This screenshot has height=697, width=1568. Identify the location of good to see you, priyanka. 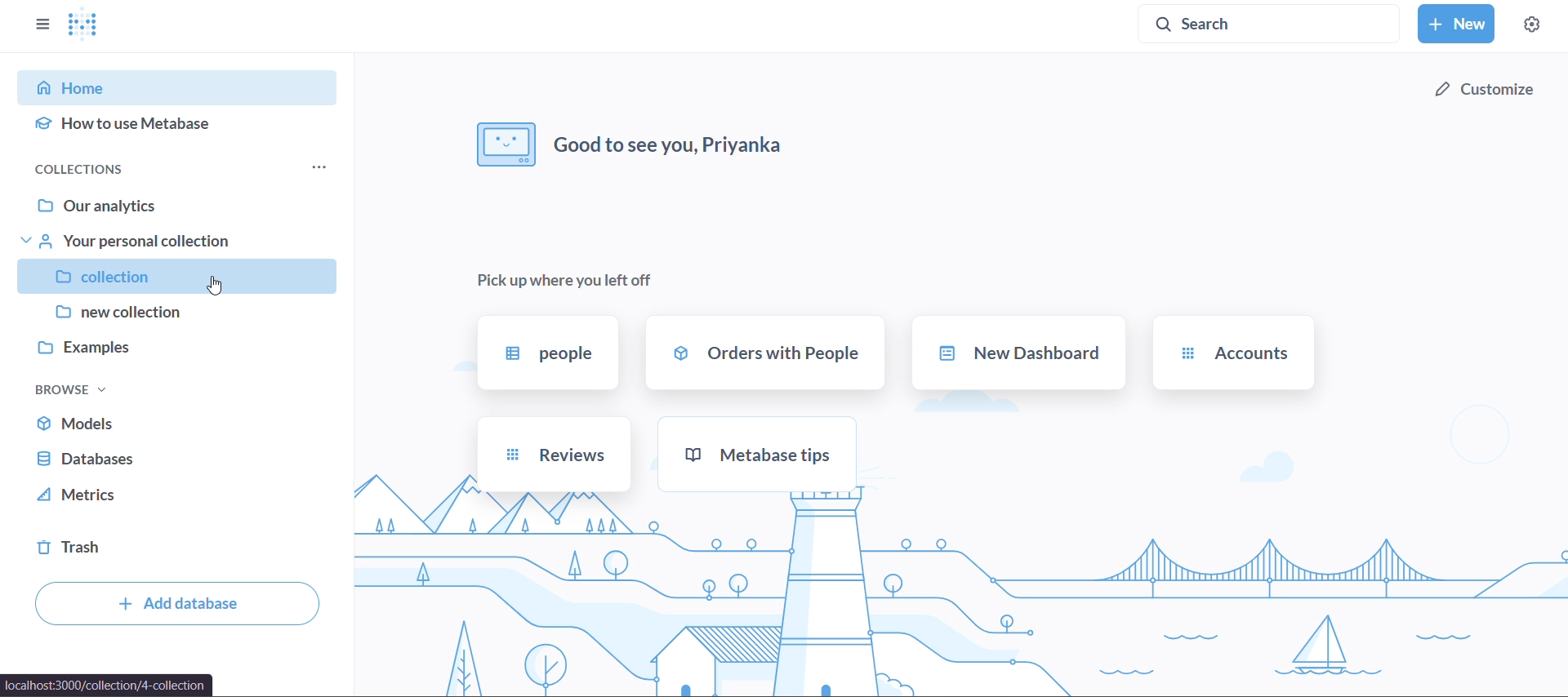
(637, 147).